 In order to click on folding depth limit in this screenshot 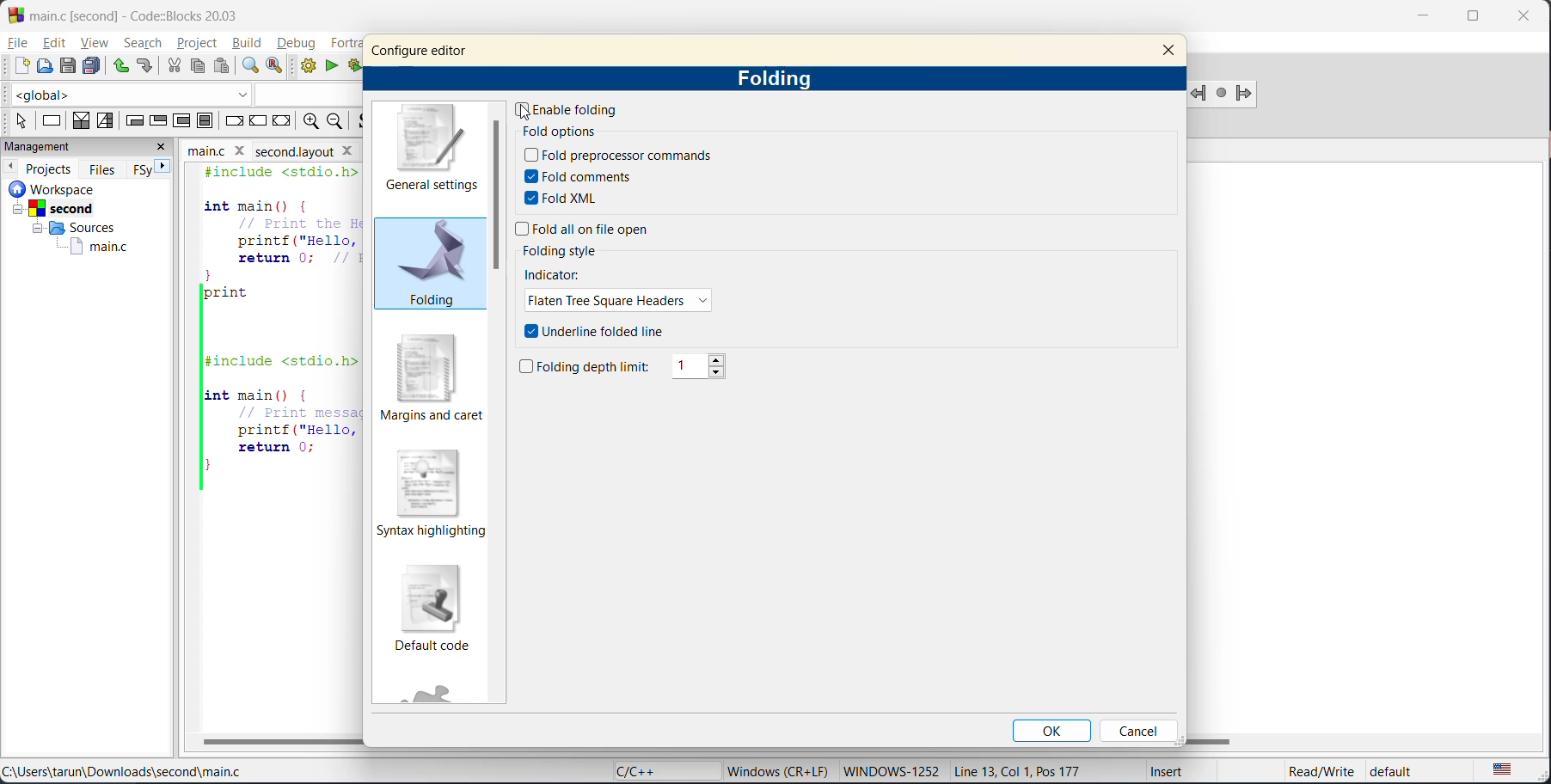, I will do `click(586, 368)`.